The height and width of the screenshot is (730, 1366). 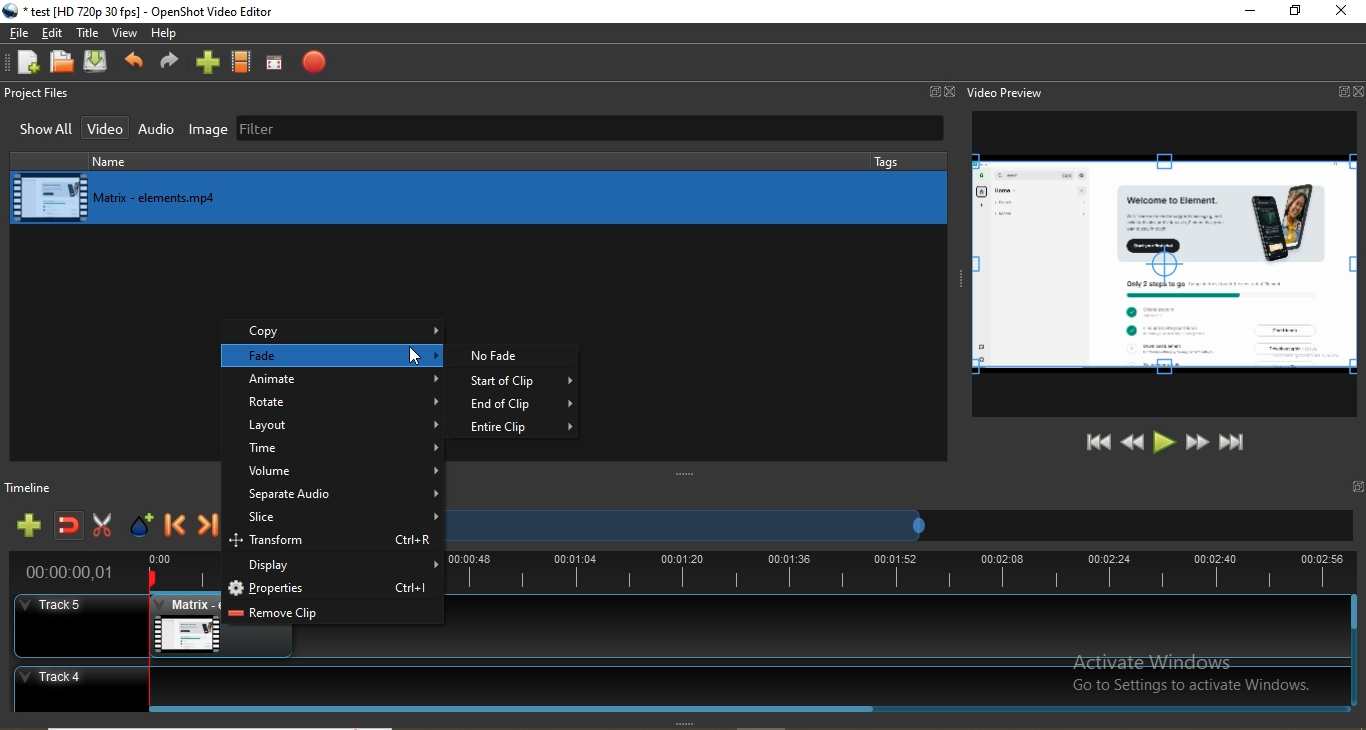 I want to click on tags, so click(x=890, y=161).